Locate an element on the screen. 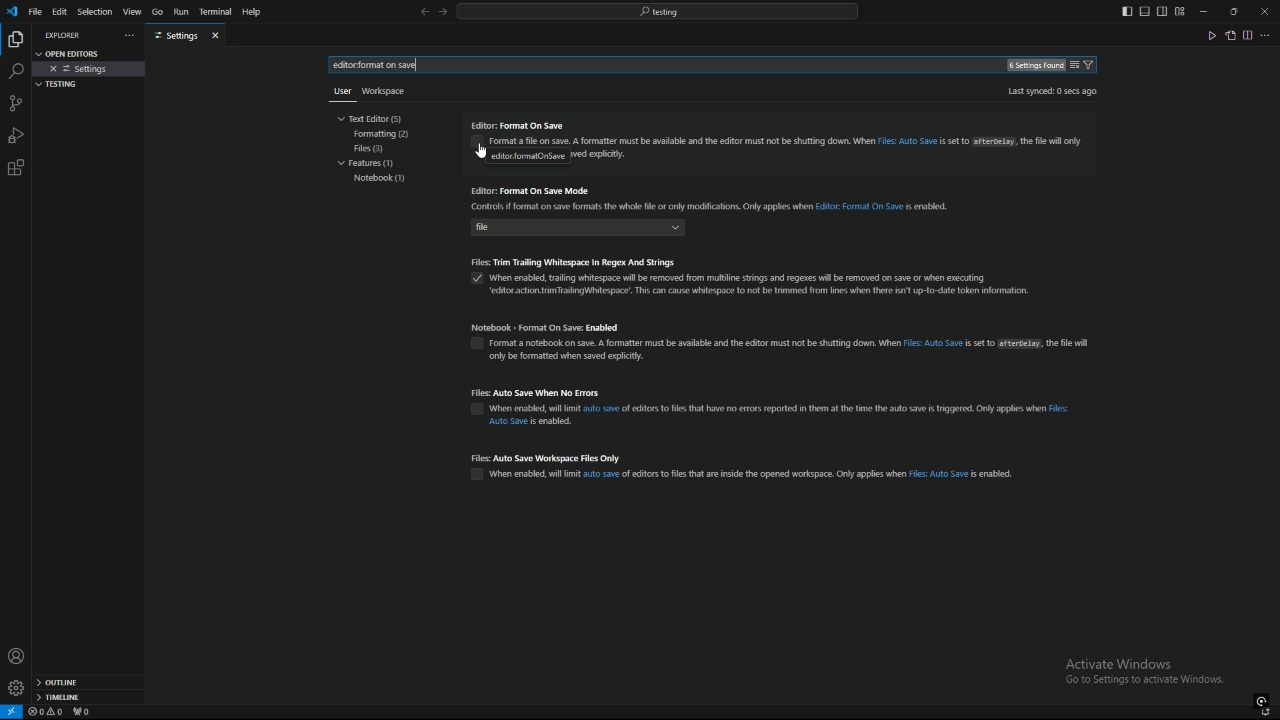 The height and width of the screenshot is (720, 1280). notebook format on save is located at coordinates (782, 341).